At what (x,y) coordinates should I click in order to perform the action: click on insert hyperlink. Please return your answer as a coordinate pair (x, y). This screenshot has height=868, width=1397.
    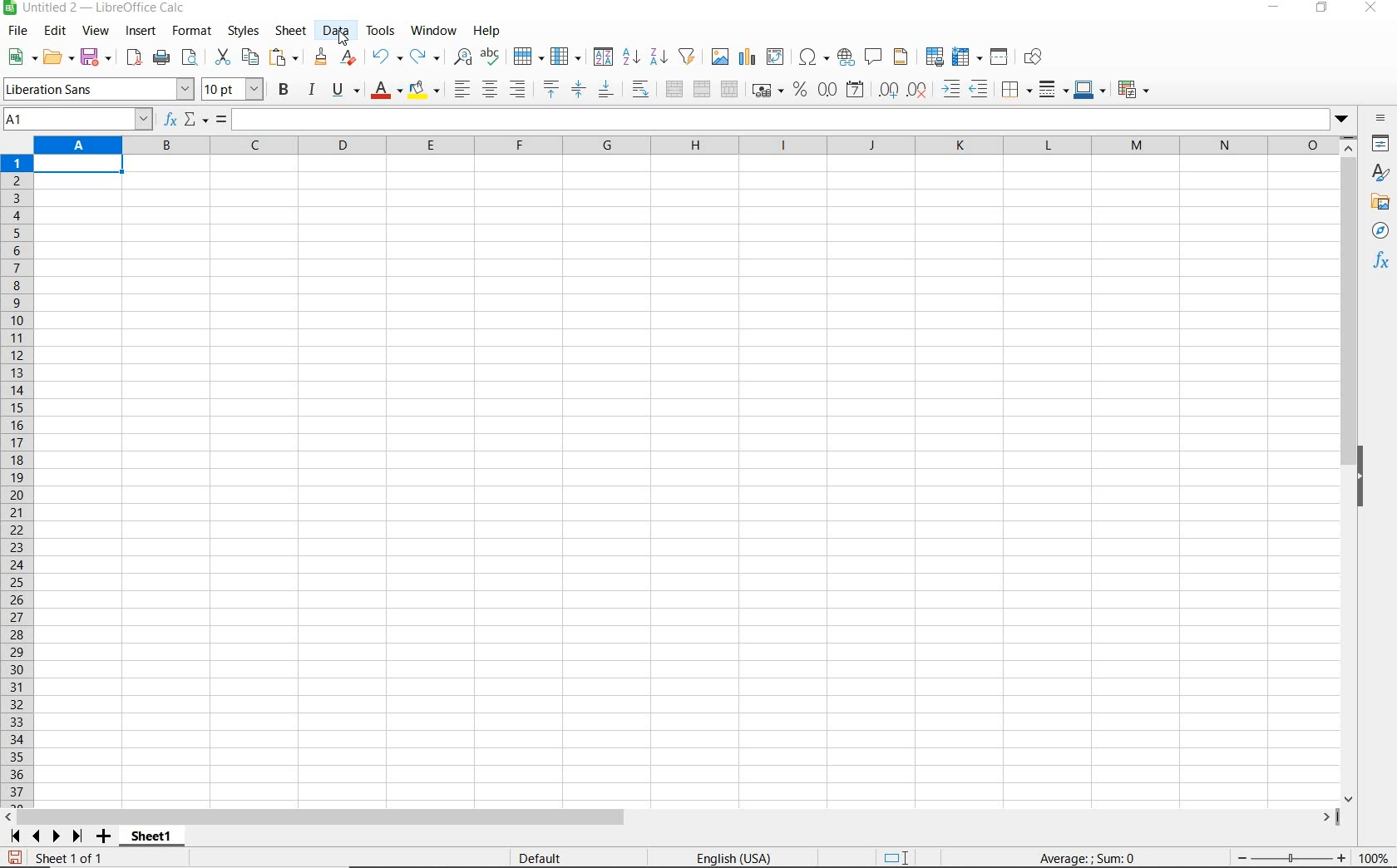
    Looking at the image, I should click on (846, 56).